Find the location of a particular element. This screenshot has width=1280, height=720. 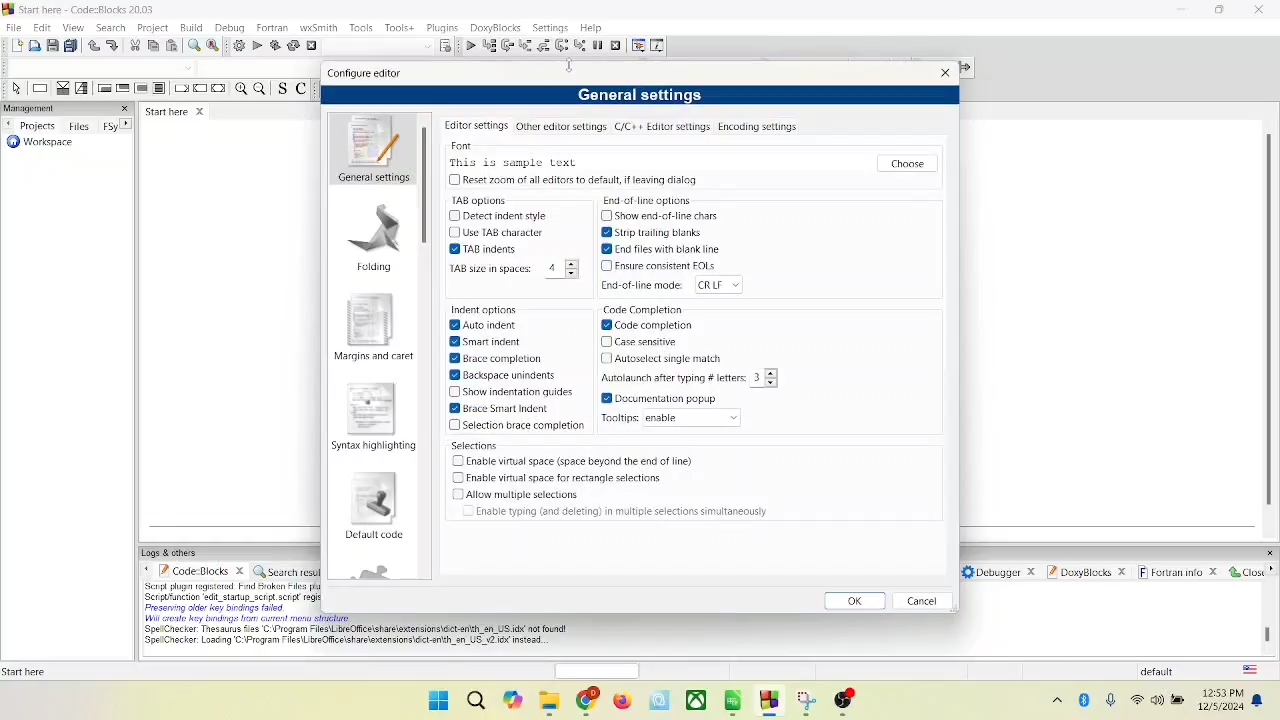

open is located at coordinates (33, 45).